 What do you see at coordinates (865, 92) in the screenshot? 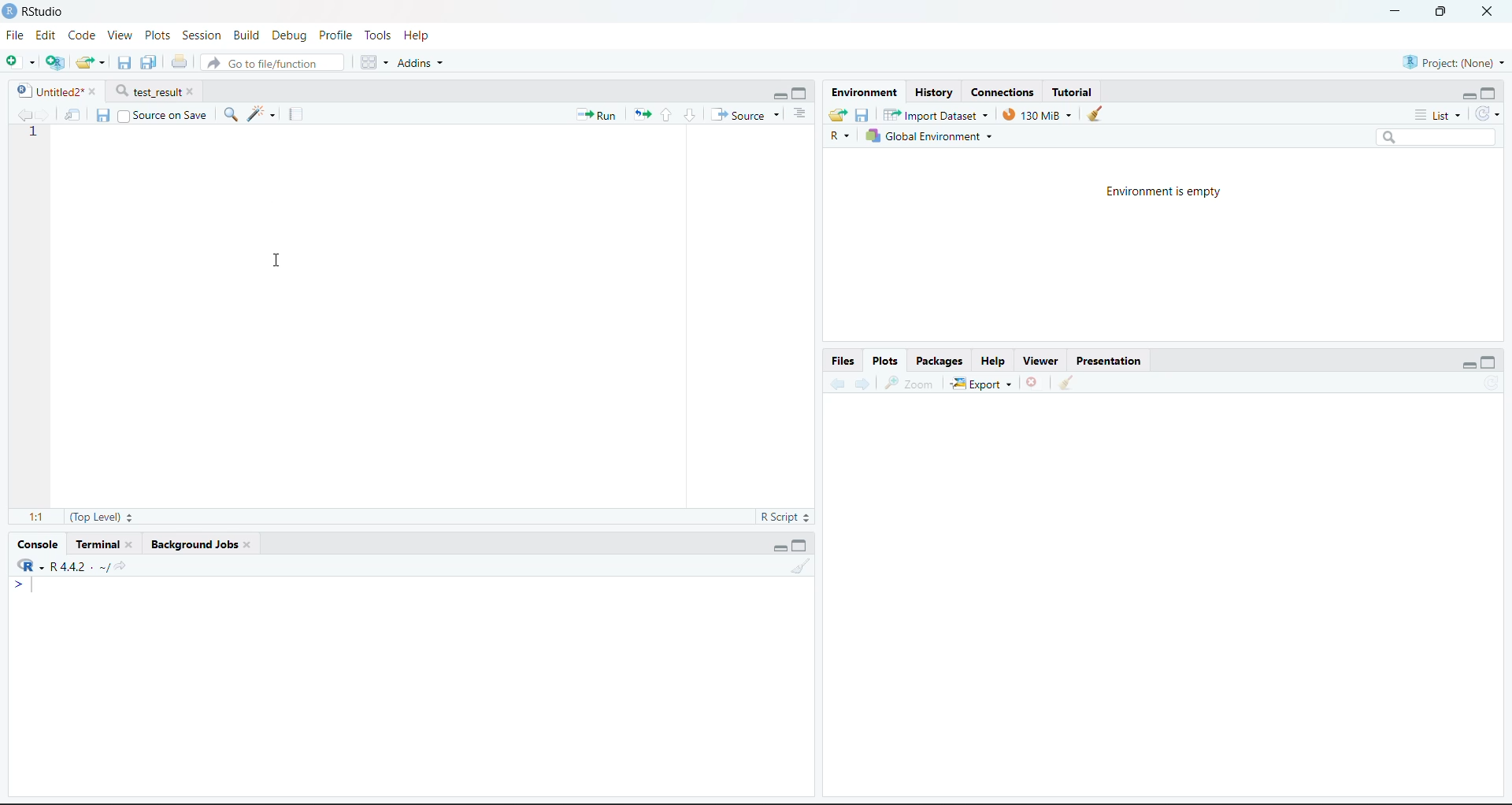
I see `Environment` at bounding box center [865, 92].